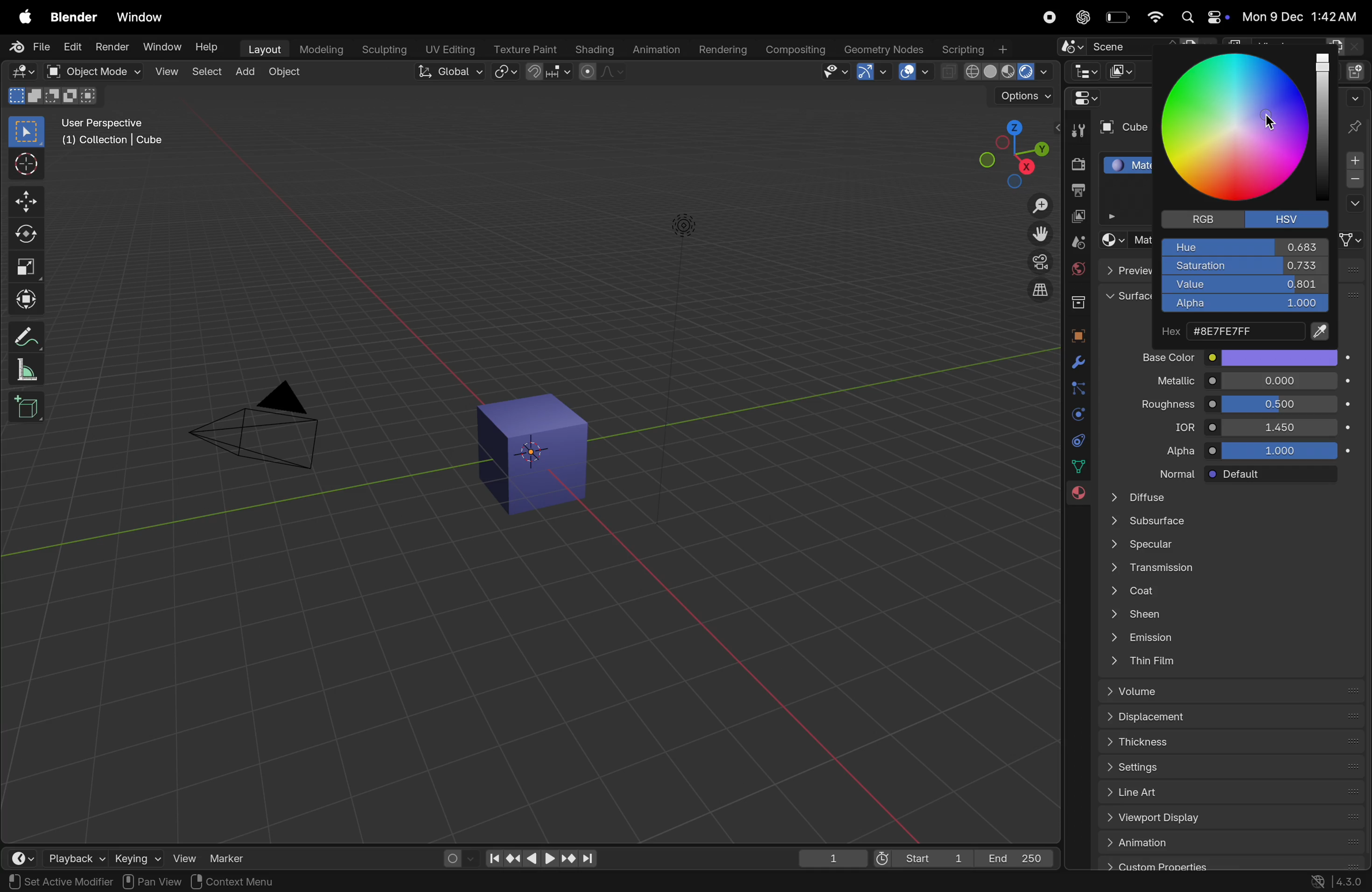 Image resolution: width=1372 pixels, height=892 pixels. I want to click on physics, so click(1076, 414).